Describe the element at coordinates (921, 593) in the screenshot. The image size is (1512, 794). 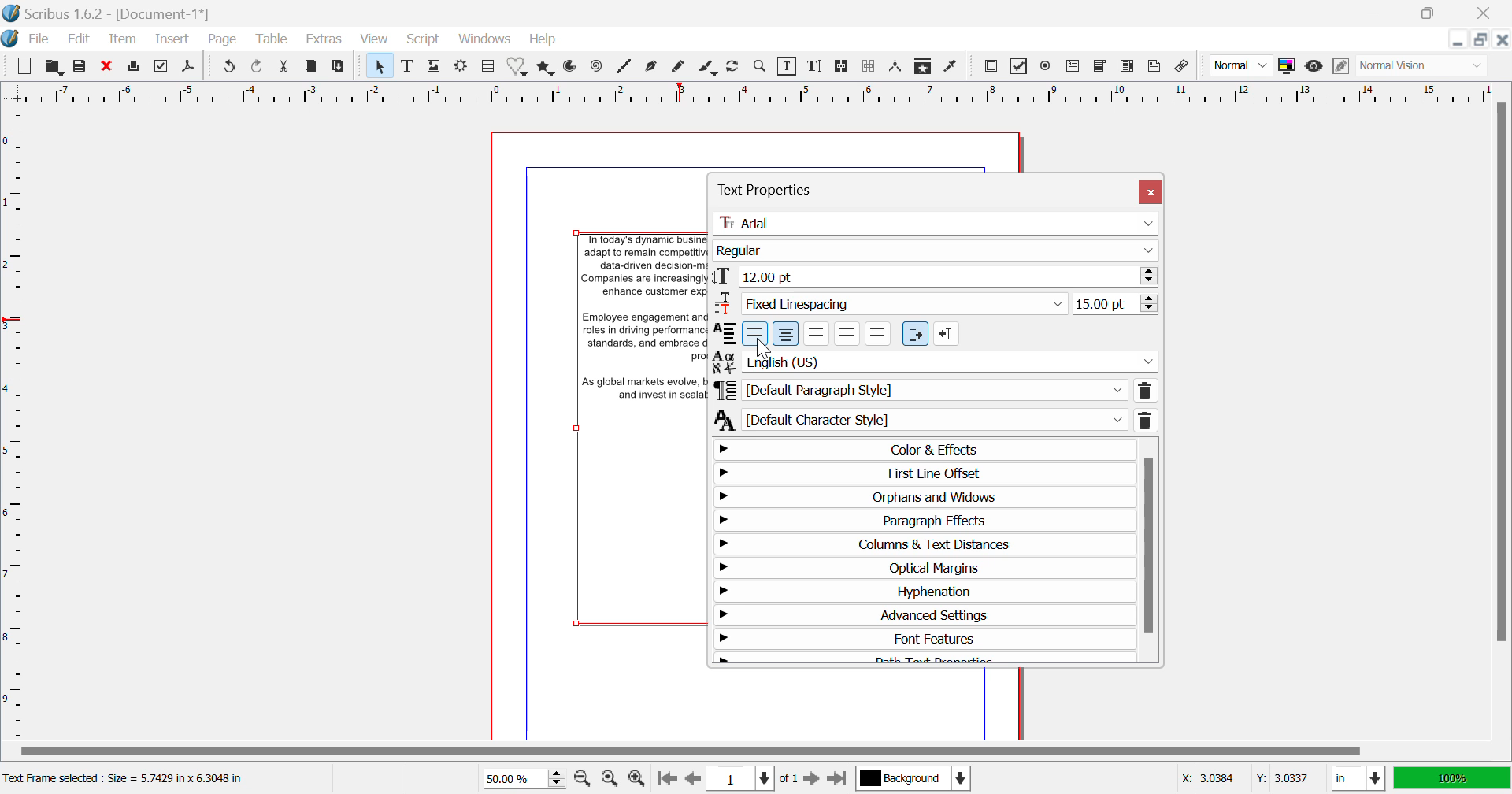
I see `Hyphenation` at that location.